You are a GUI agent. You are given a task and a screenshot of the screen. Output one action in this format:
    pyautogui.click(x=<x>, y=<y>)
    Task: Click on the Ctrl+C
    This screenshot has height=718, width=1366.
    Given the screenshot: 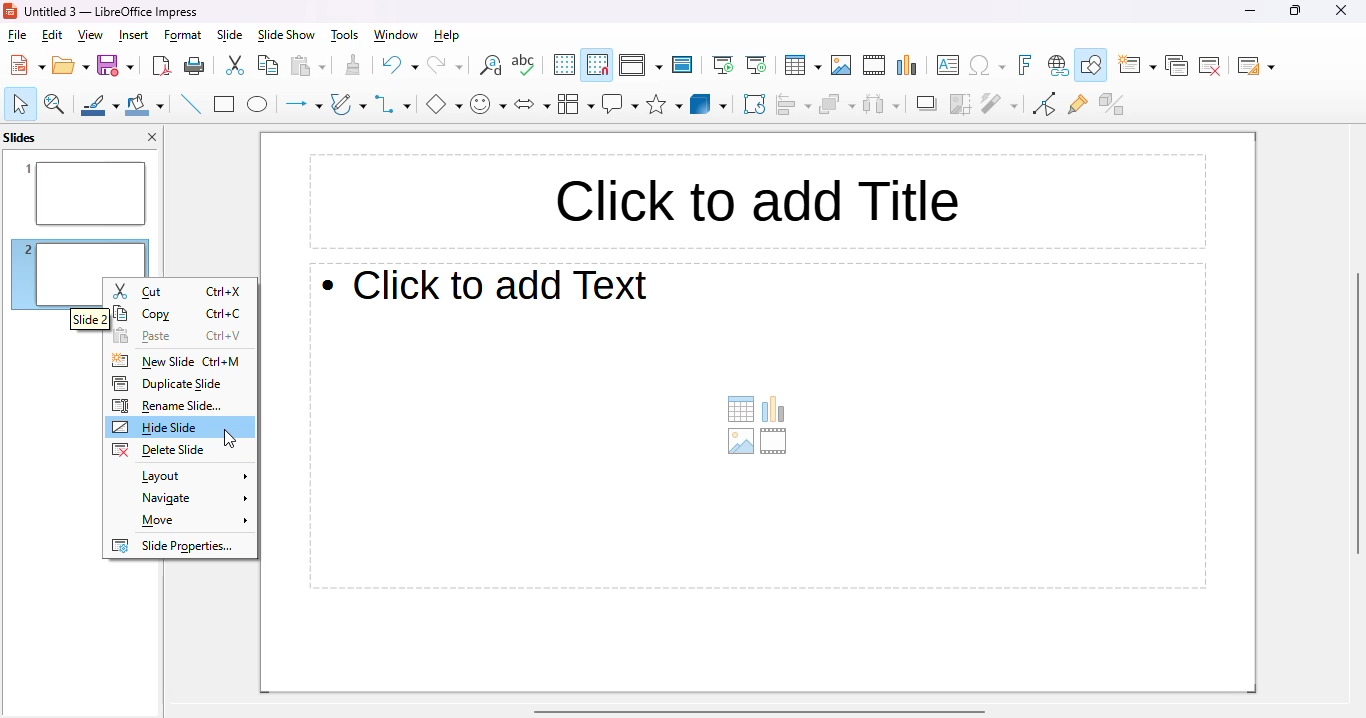 What is the action you would take?
    pyautogui.click(x=225, y=313)
    